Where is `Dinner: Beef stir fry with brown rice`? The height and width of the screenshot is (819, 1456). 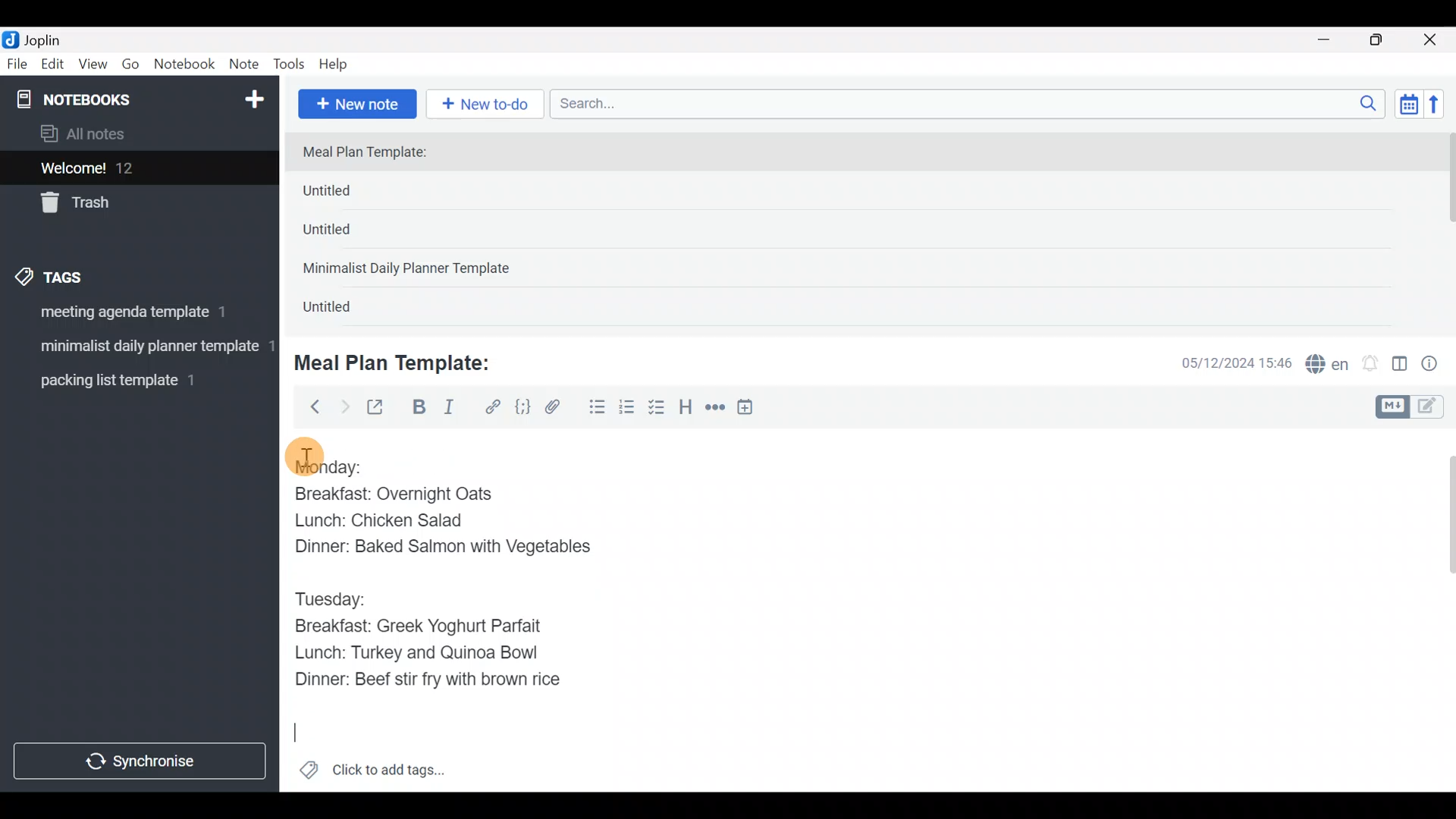
Dinner: Beef stir fry with brown rice is located at coordinates (425, 682).